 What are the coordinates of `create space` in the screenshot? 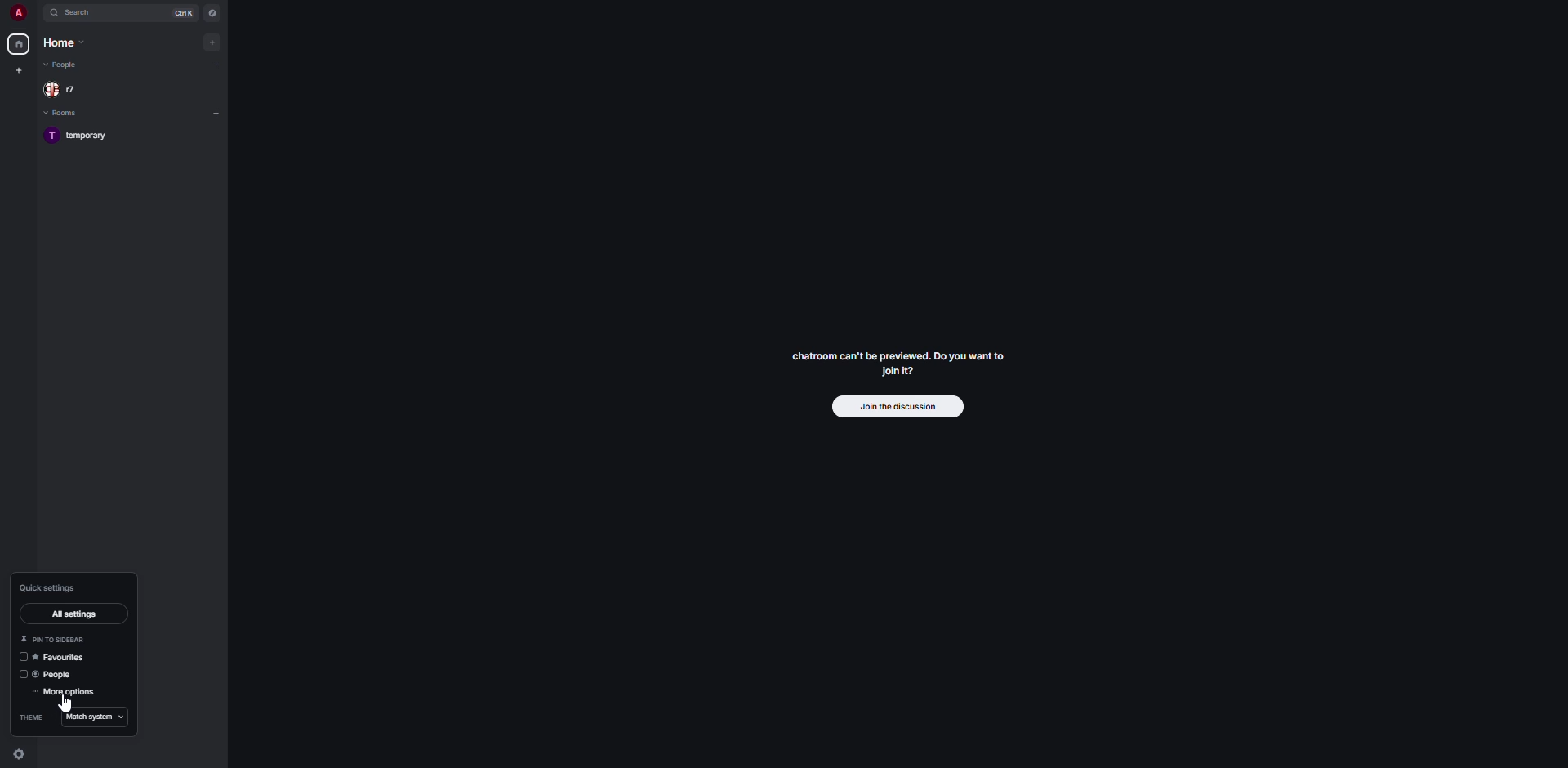 It's located at (21, 70).